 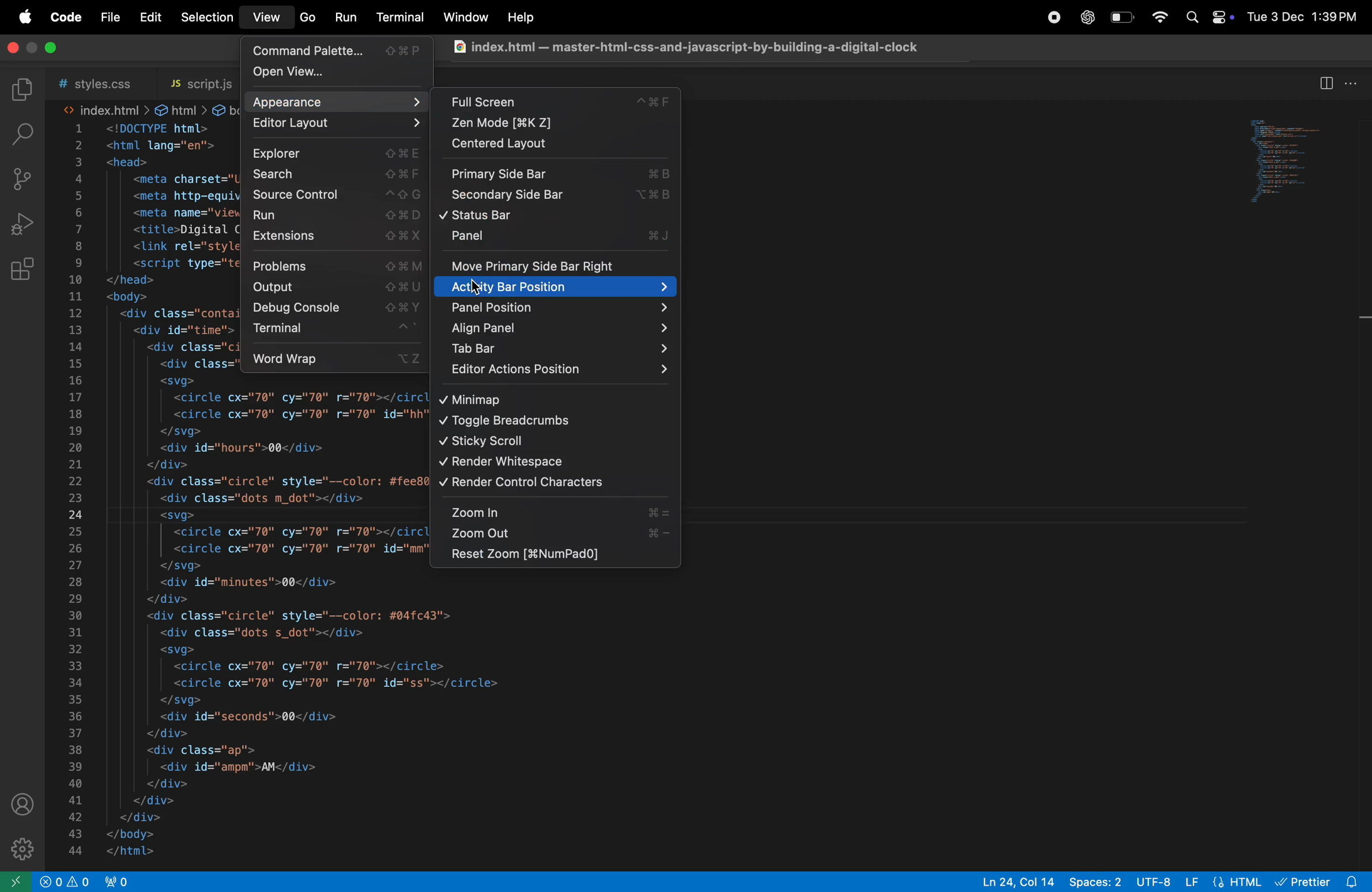 What do you see at coordinates (557, 289) in the screenshot?
I see `activity bar position` at bounding box center [557, 289].